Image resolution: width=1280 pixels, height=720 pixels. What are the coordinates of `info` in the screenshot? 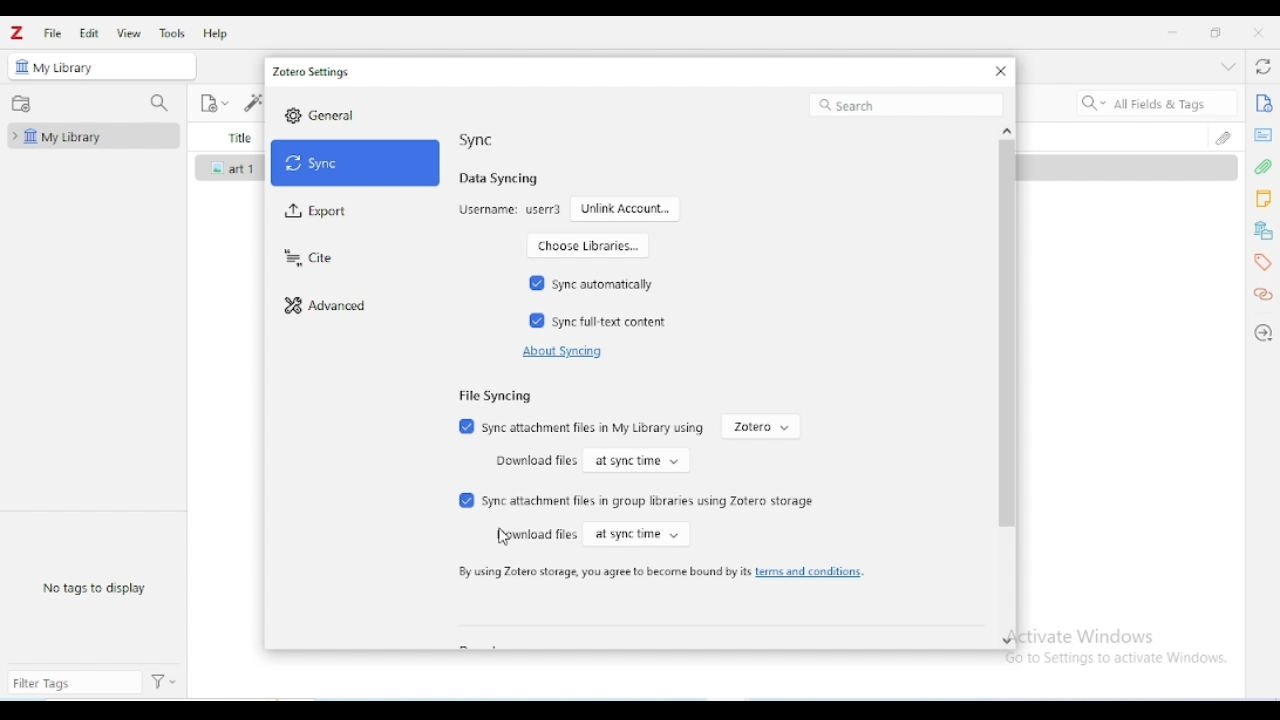 It's located at (1264, 102).